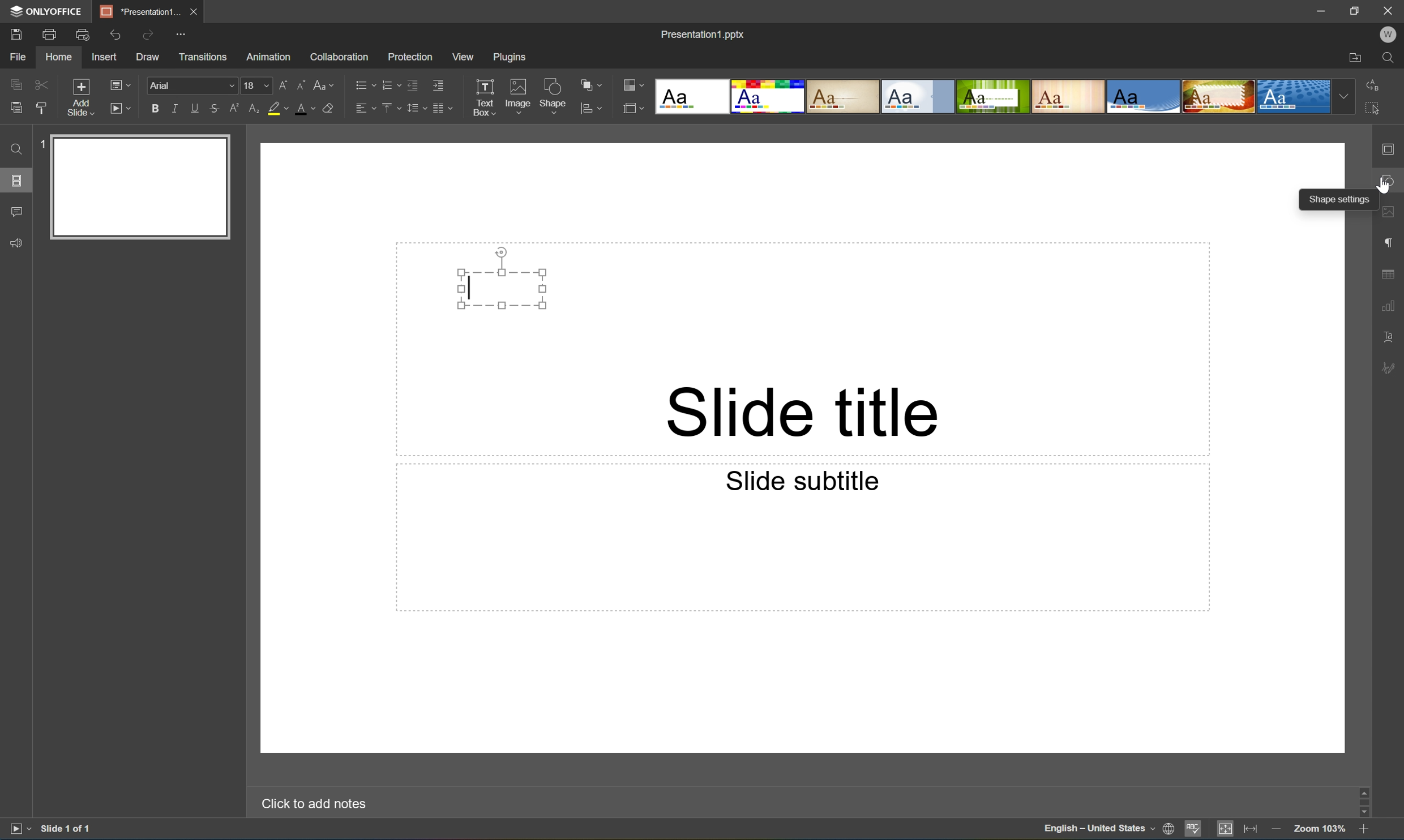 The height and width of the screenshot is (840, 1404). I want to click on Vertical align, so click(389, 108).